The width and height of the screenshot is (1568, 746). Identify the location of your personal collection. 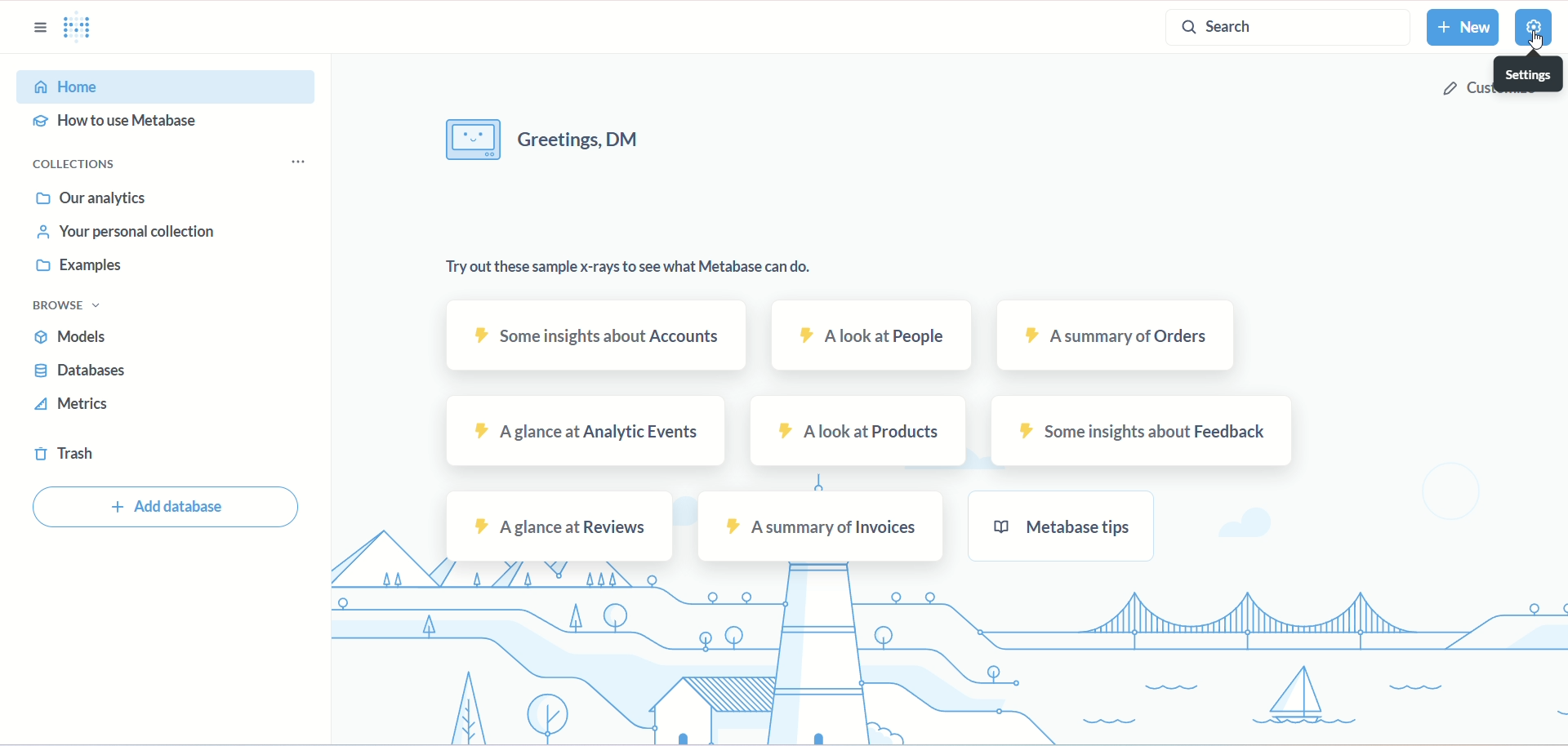
(136, 229).